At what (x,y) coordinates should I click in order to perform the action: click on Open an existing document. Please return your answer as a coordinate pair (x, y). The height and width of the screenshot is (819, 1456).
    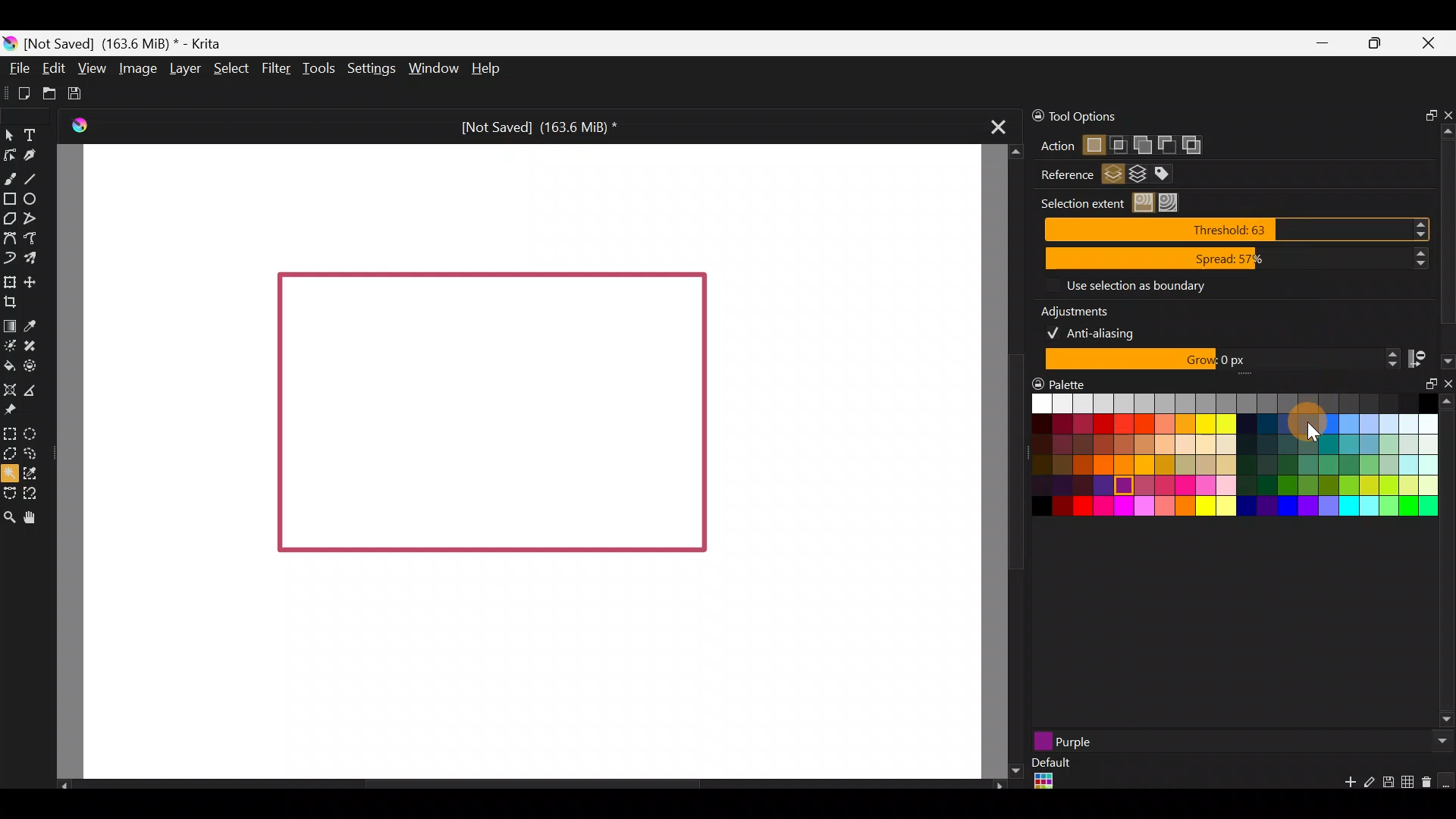
    Looking at the image, I should click on (49, 91).